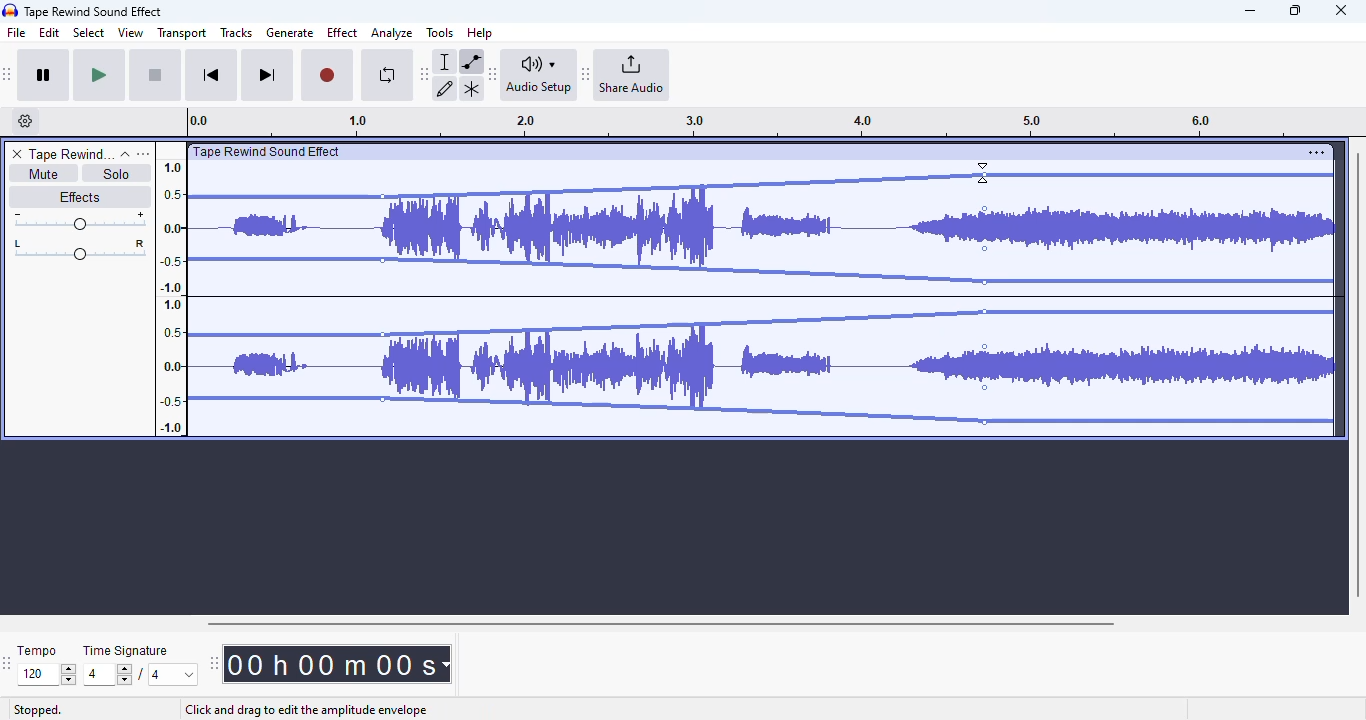 The image size is (1366, 720). What do you see at coordinates (744, 122) in the screenshot?
I see `Track timeline` at bounding box center [744, 122].